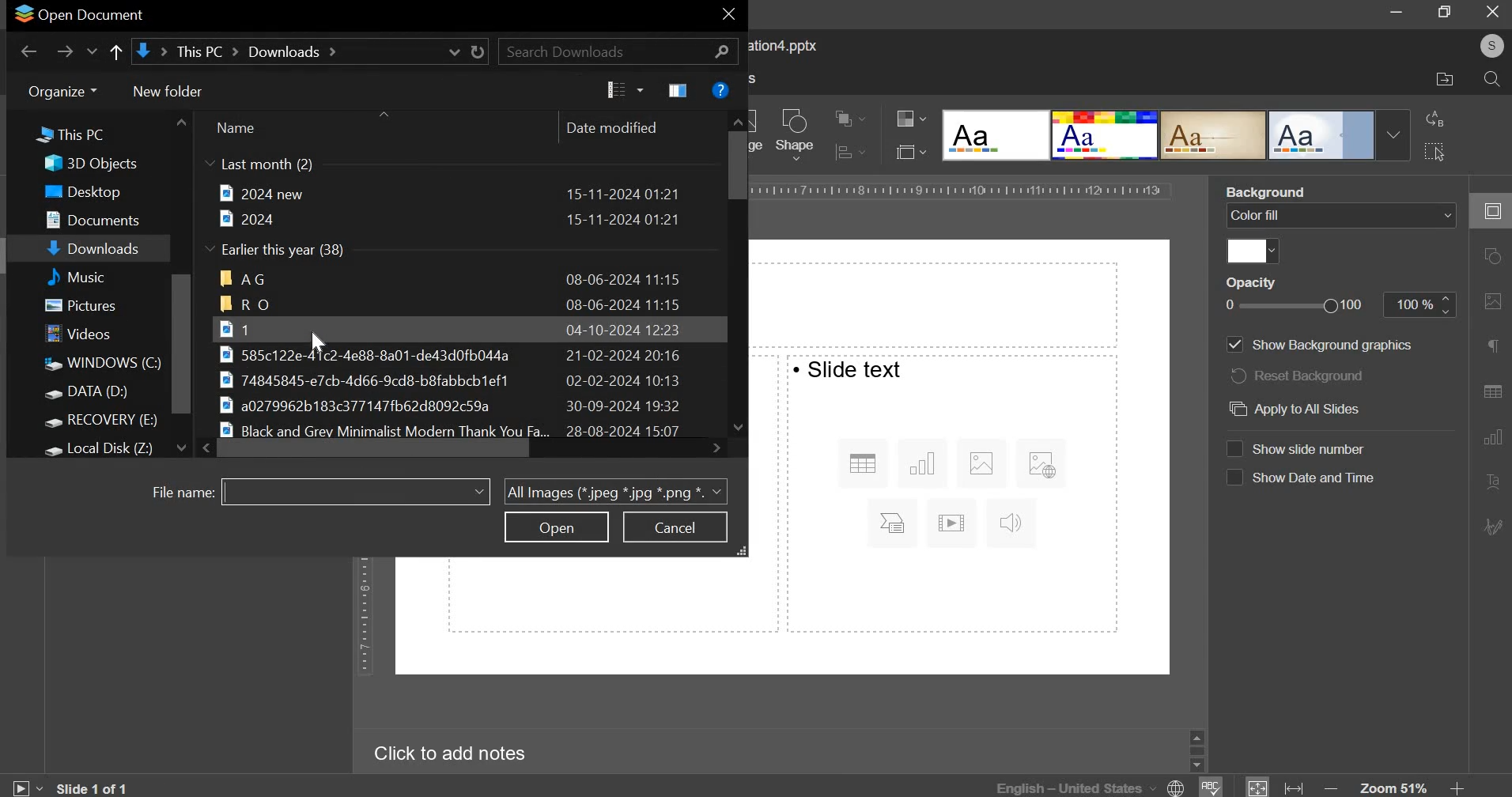  I want to click on new folder, so click(168, 91).